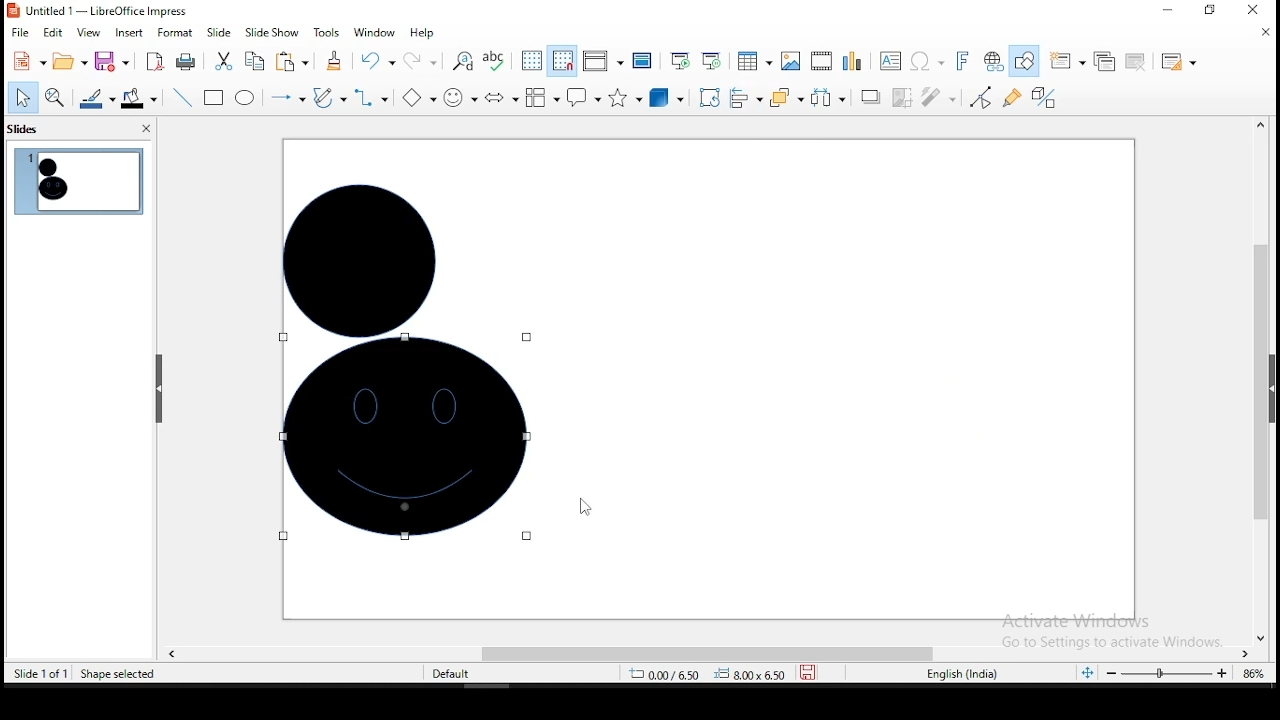  I want to click on save, so click(811, 673).